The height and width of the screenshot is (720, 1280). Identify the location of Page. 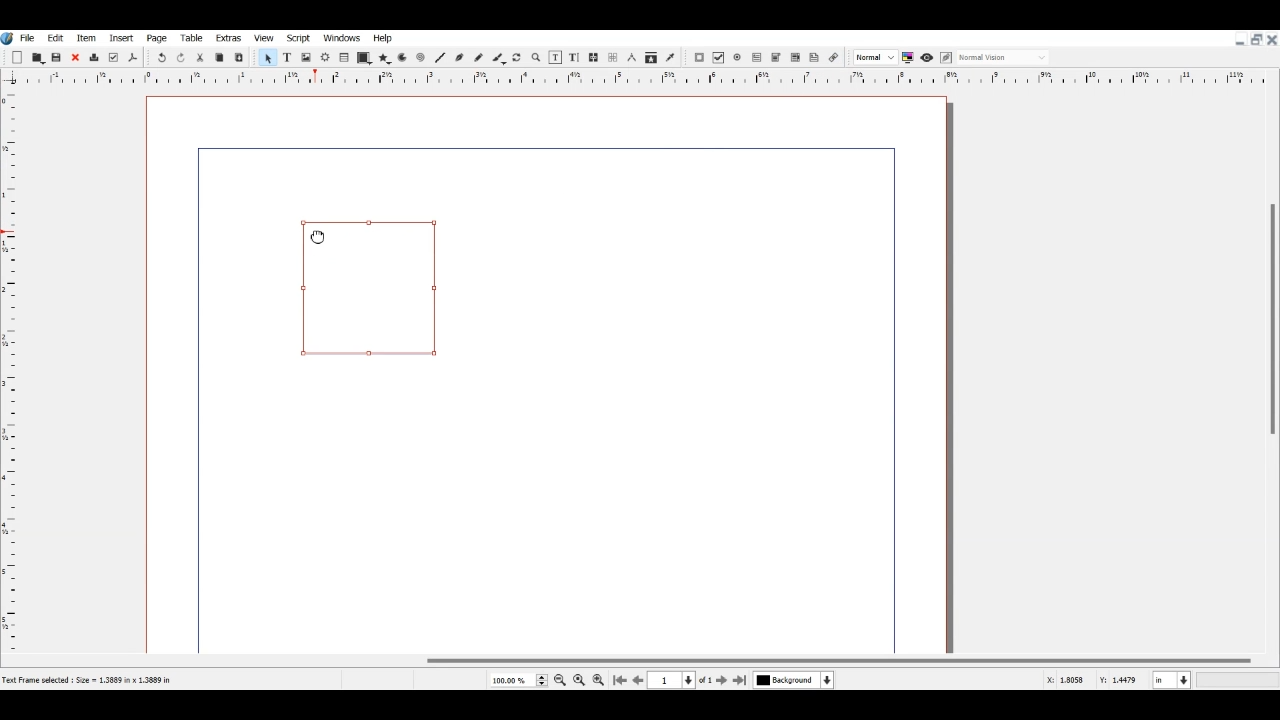
(157, 38).